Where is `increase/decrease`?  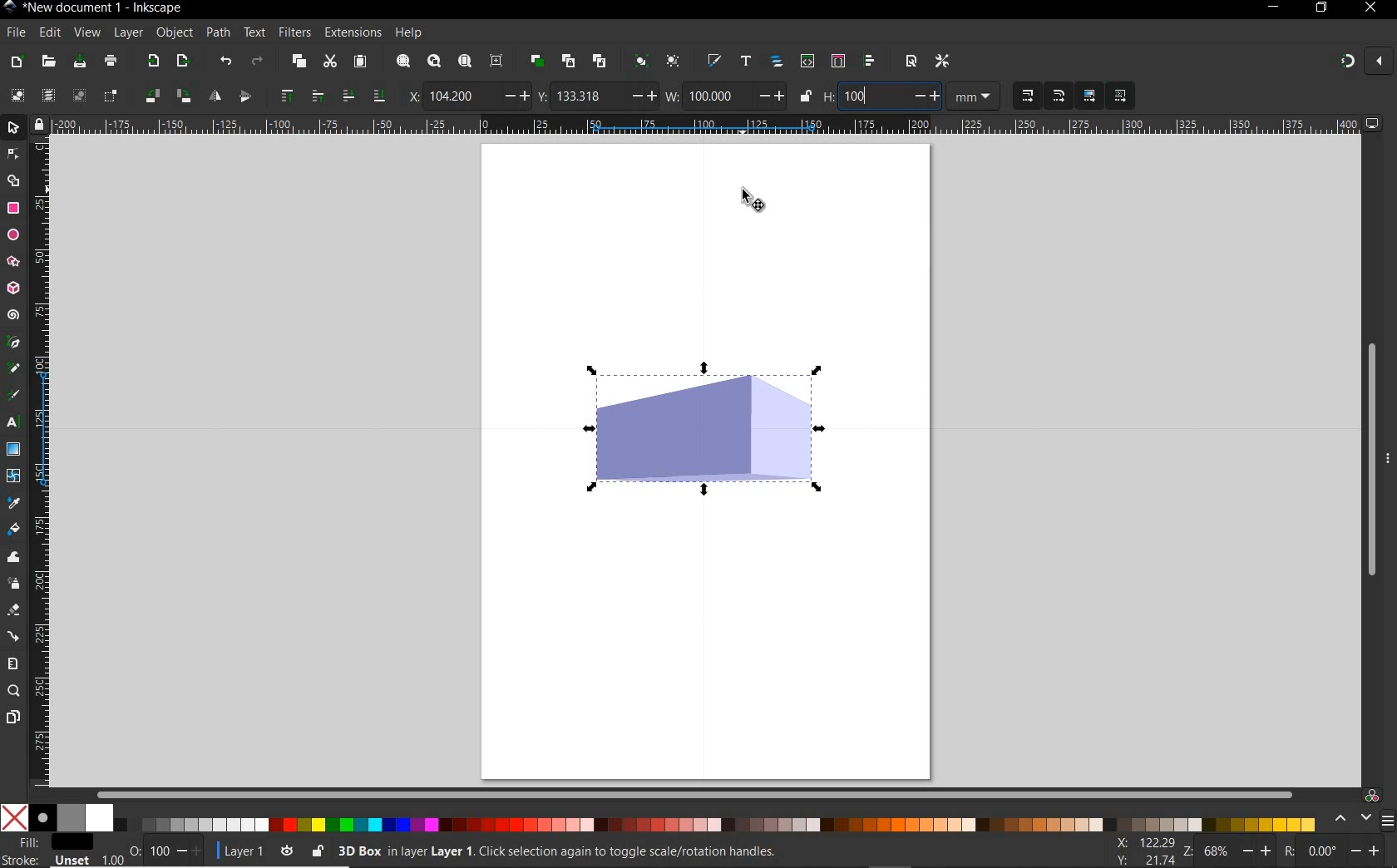 increase/decrease is located at coordinates (770, 96).